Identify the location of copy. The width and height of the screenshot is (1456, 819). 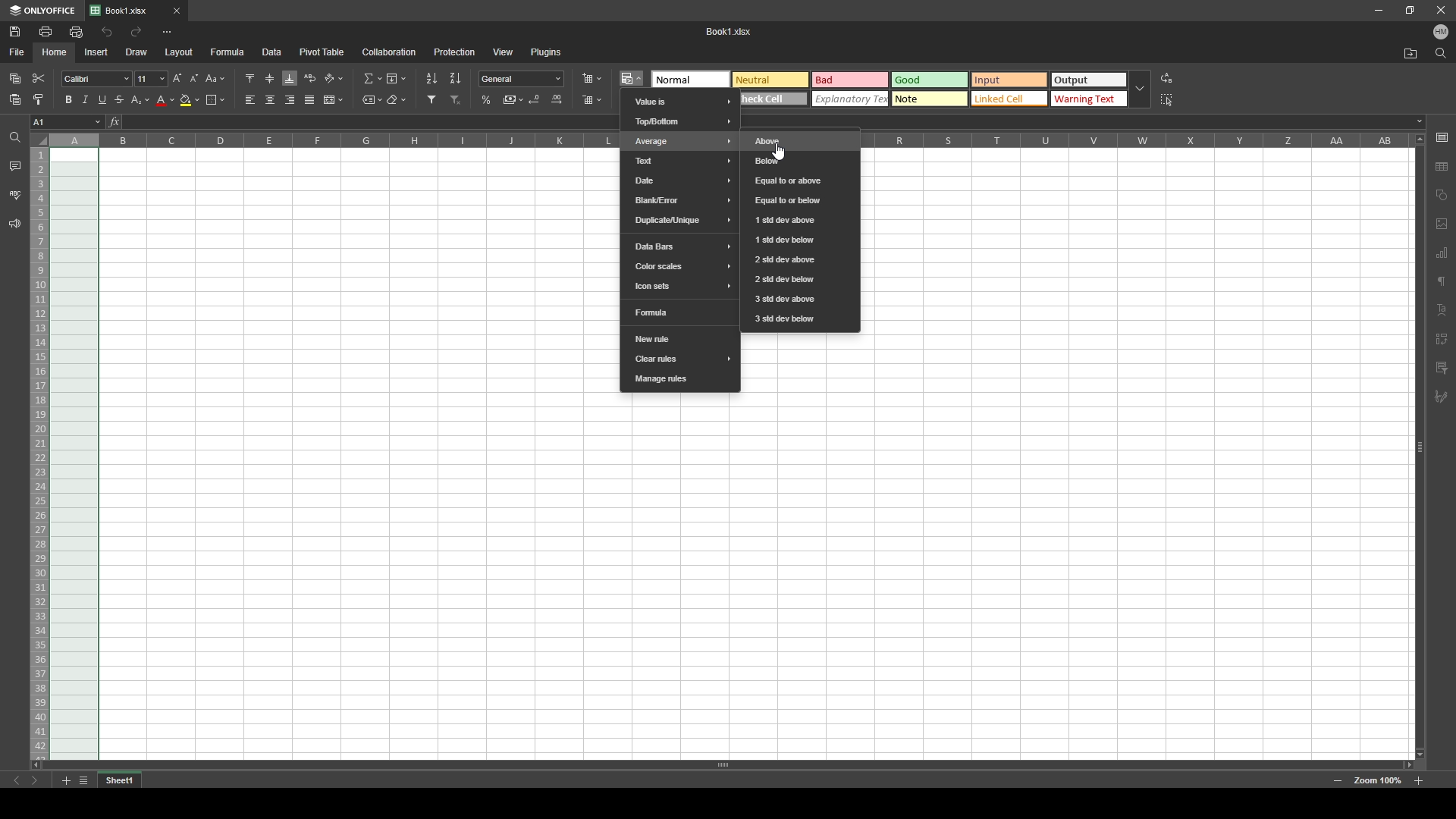
(15, 78).